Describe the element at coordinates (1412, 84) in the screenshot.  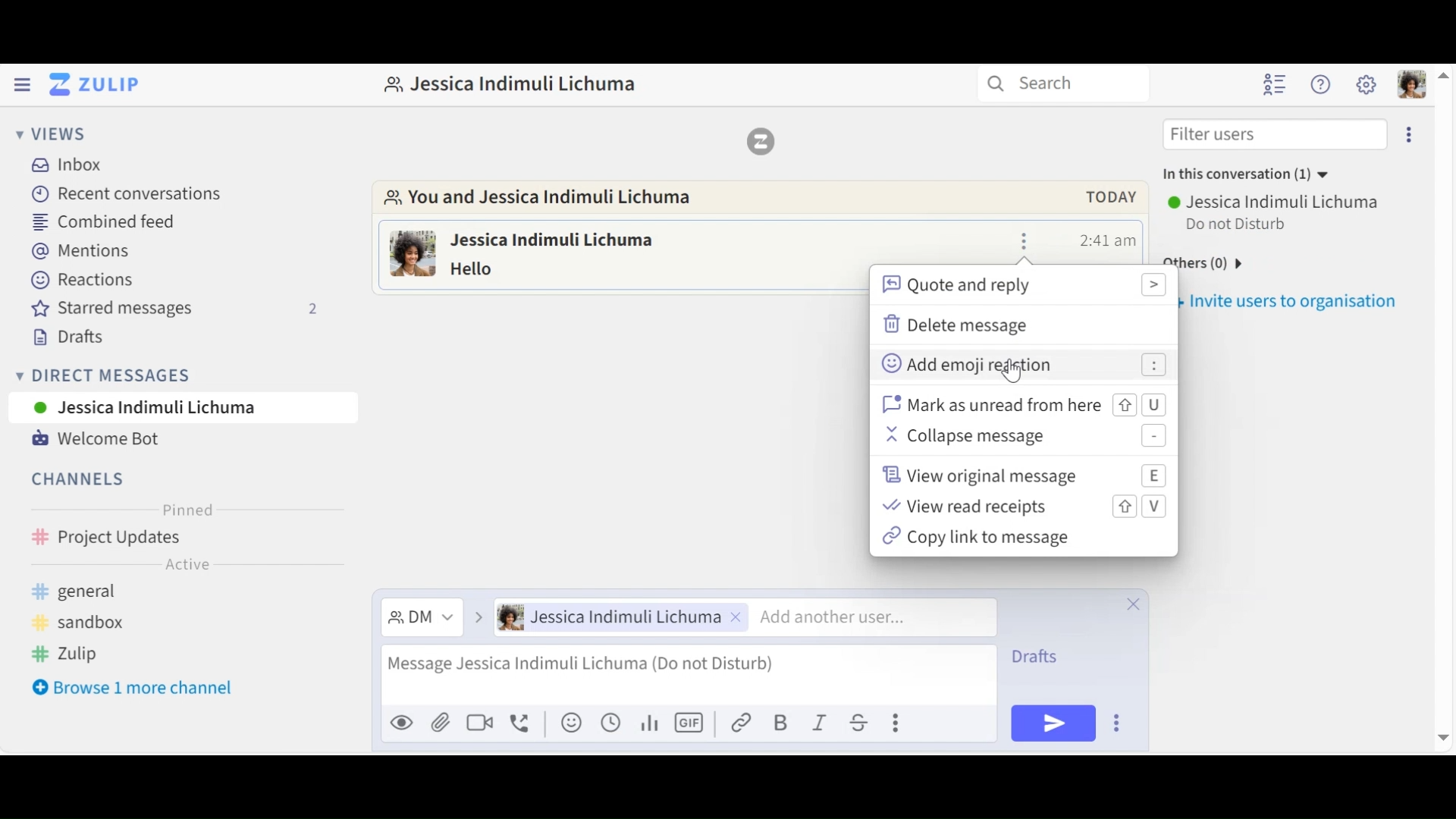
I see `Personal menu` at that location.